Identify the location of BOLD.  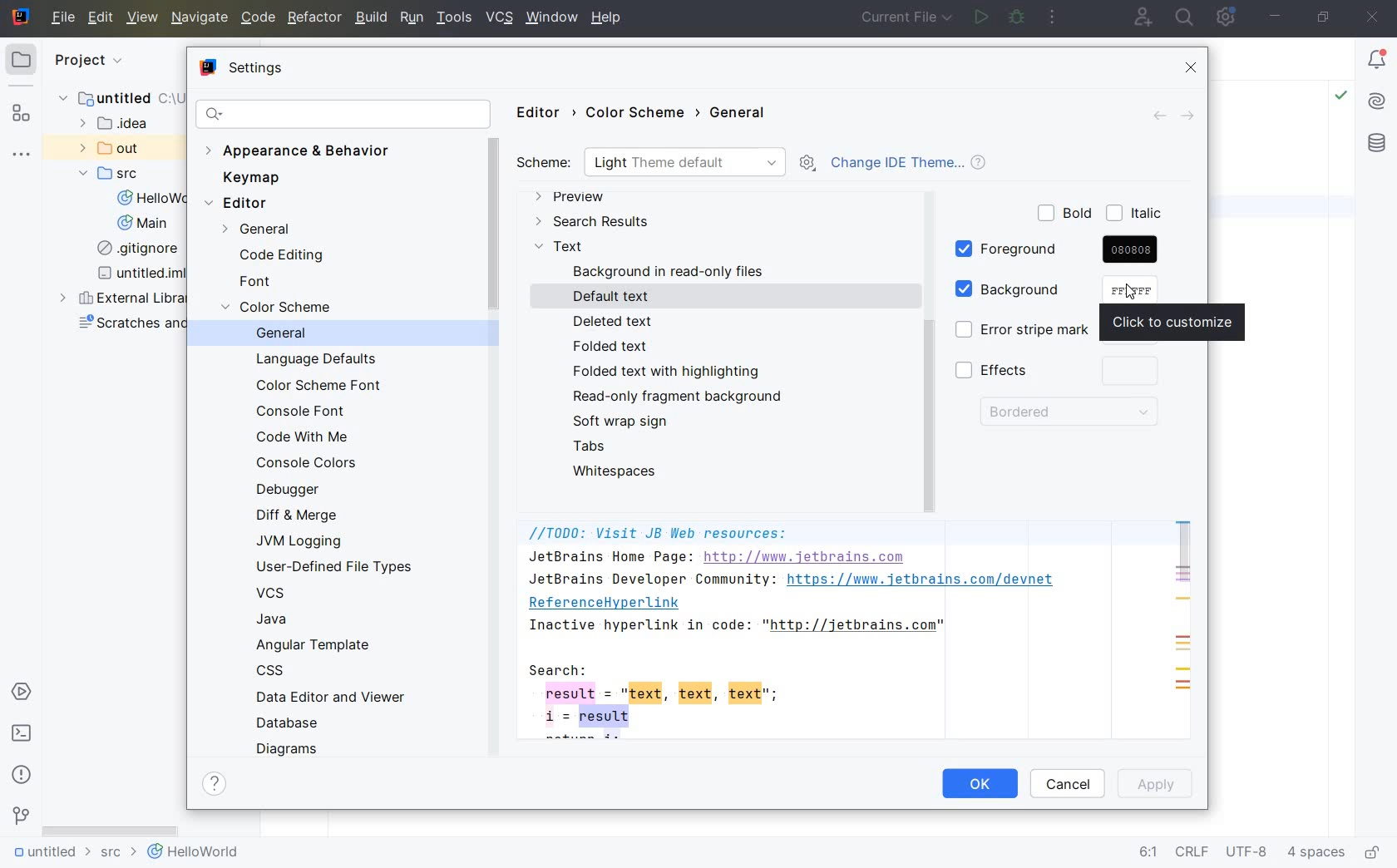
(1066, 214).